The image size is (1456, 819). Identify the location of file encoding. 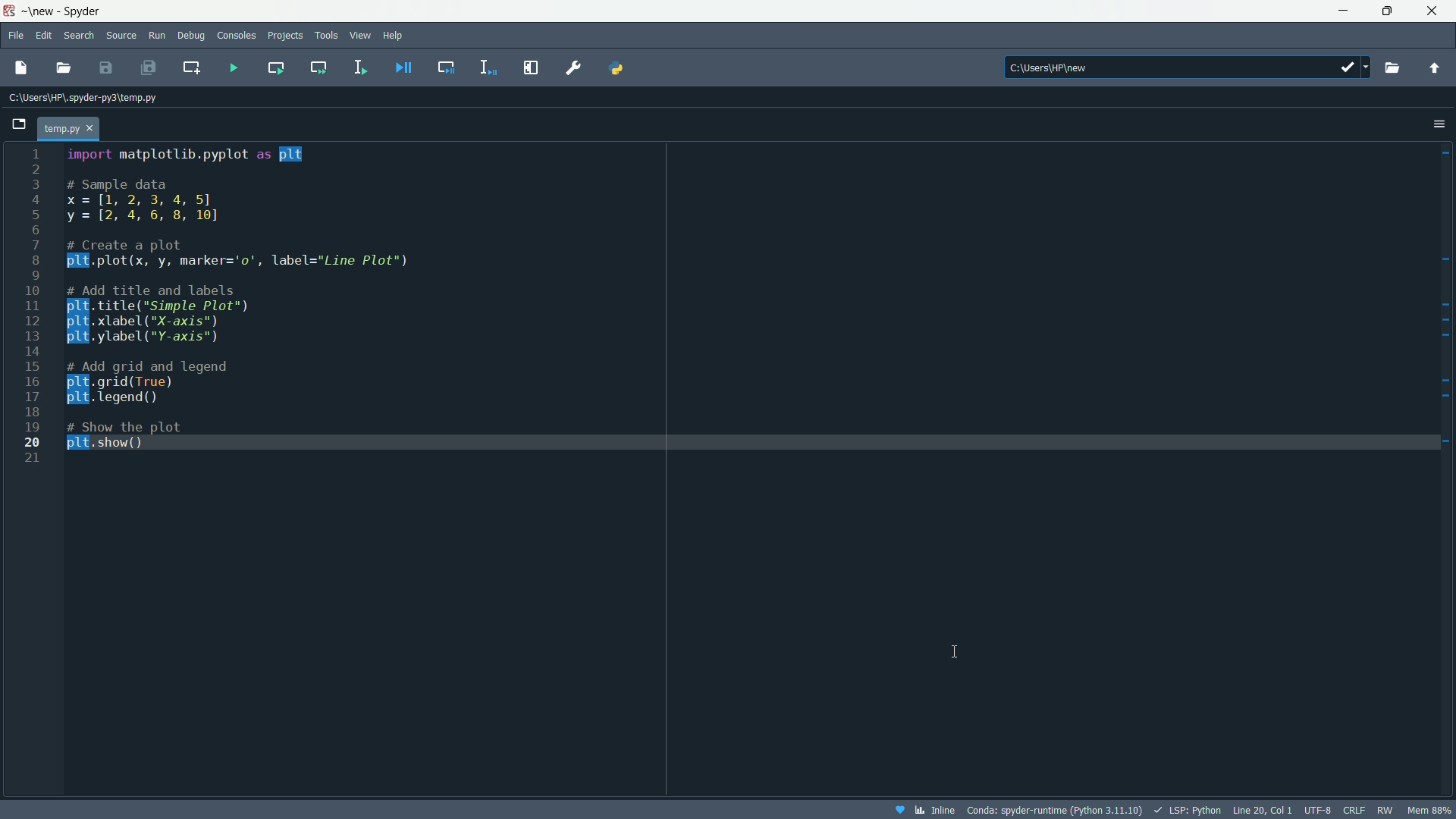
(1317, 810).